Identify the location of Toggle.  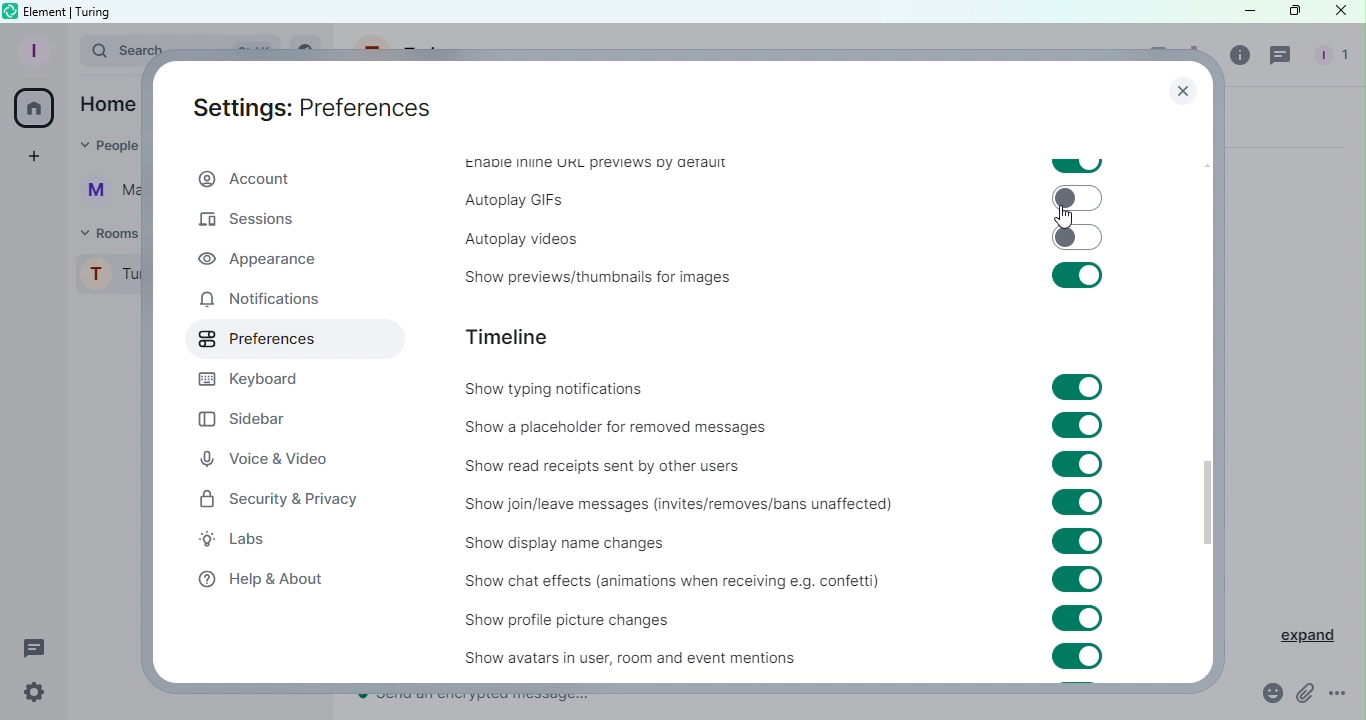
(1081, 620).